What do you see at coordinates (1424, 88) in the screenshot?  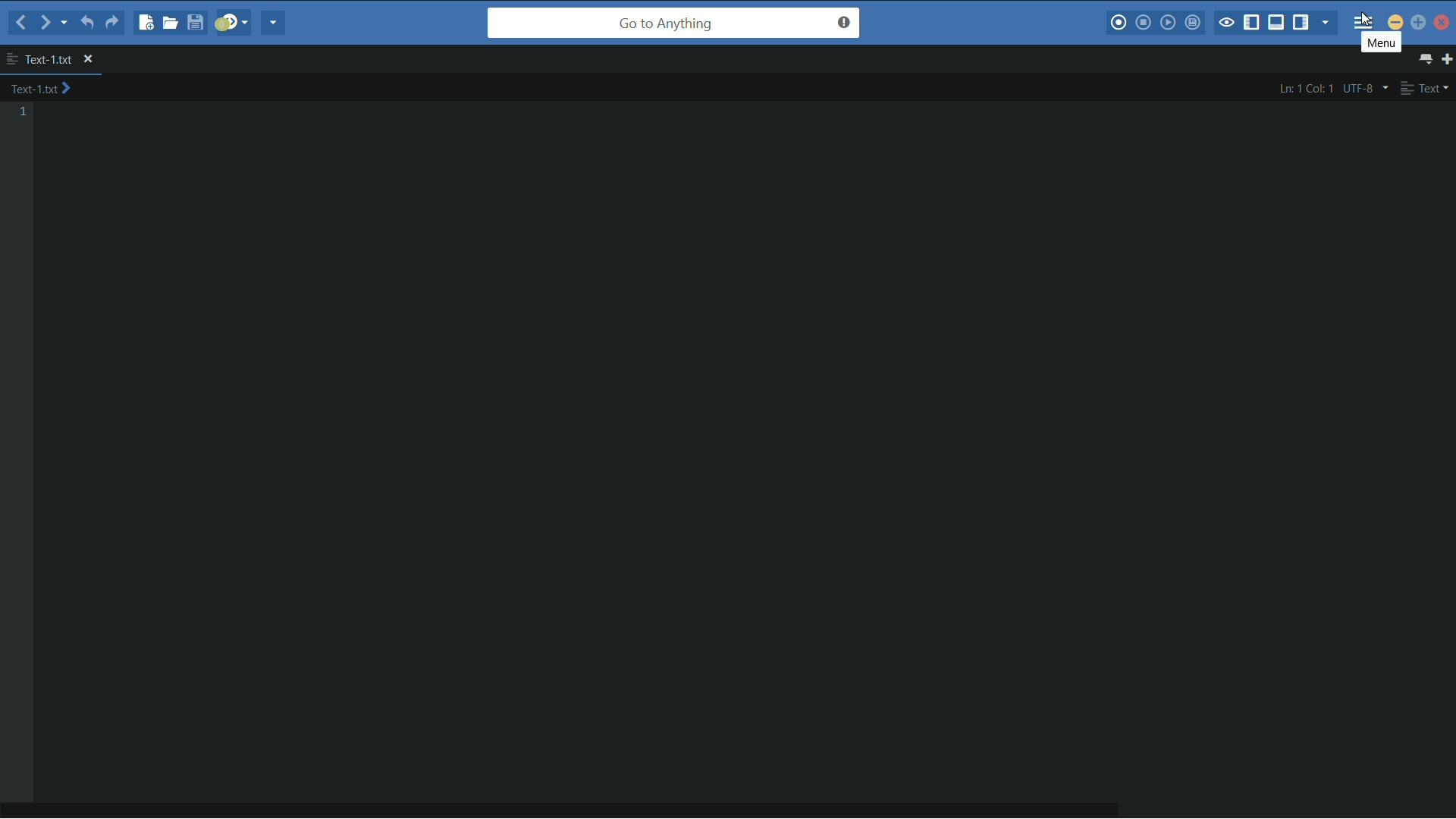 I see `text` at bounding box center [1424, 88].